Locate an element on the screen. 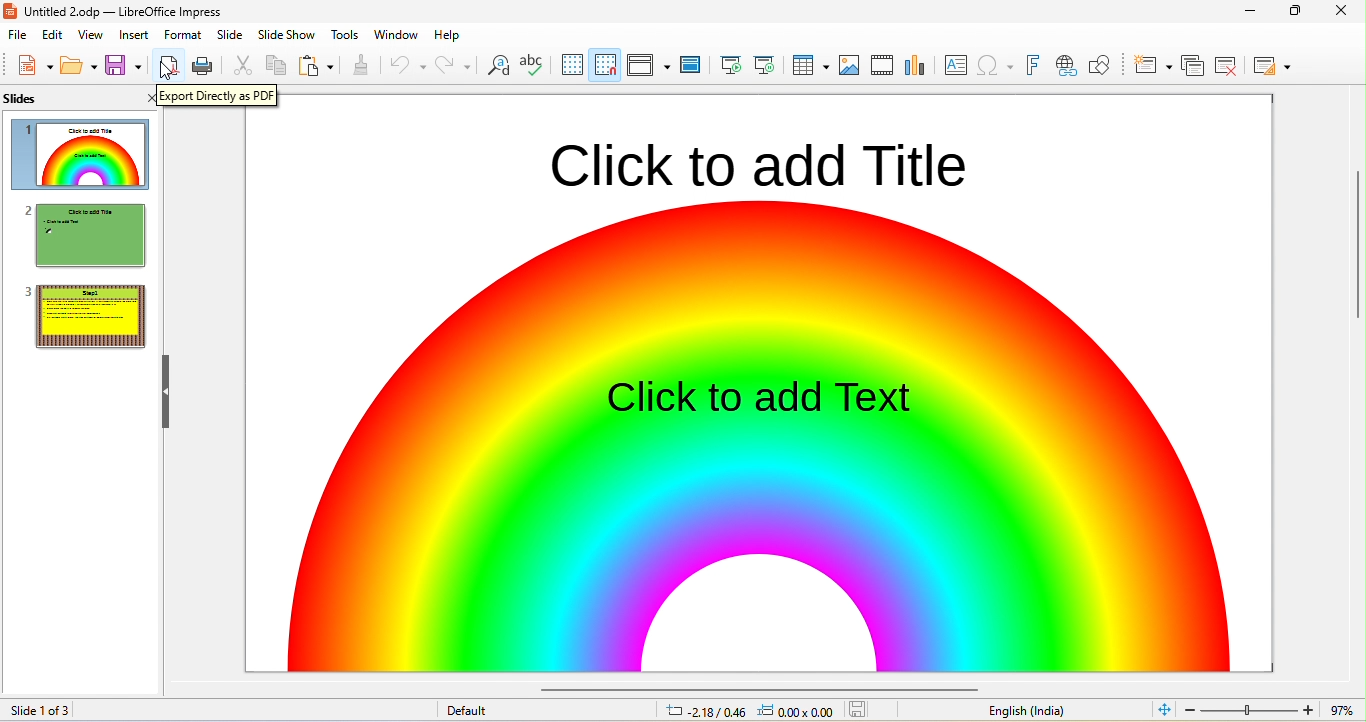  slide layout is located at coordinates (1271, 64).